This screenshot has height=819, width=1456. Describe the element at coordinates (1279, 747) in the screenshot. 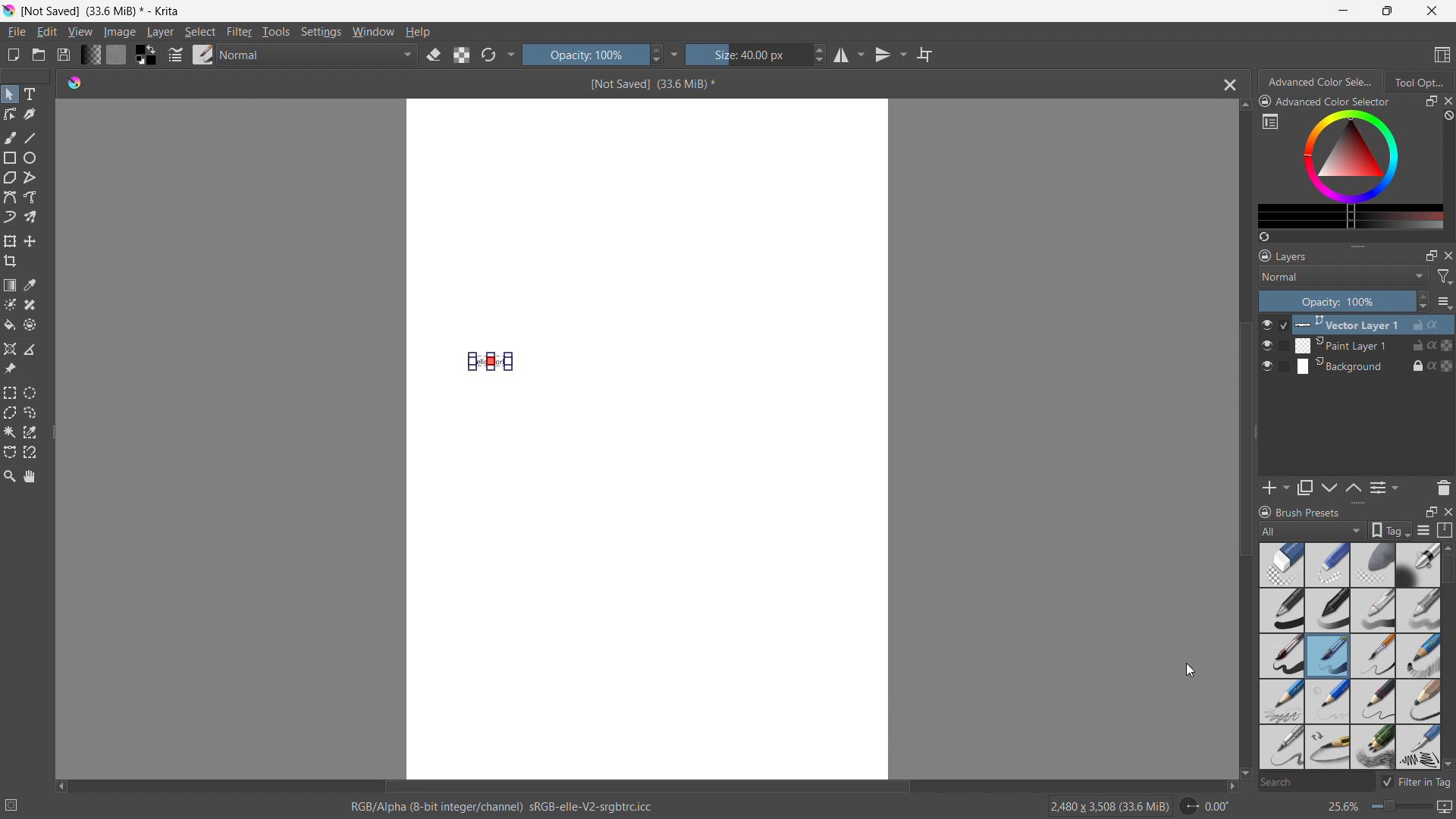

I see `pencil` at that location.